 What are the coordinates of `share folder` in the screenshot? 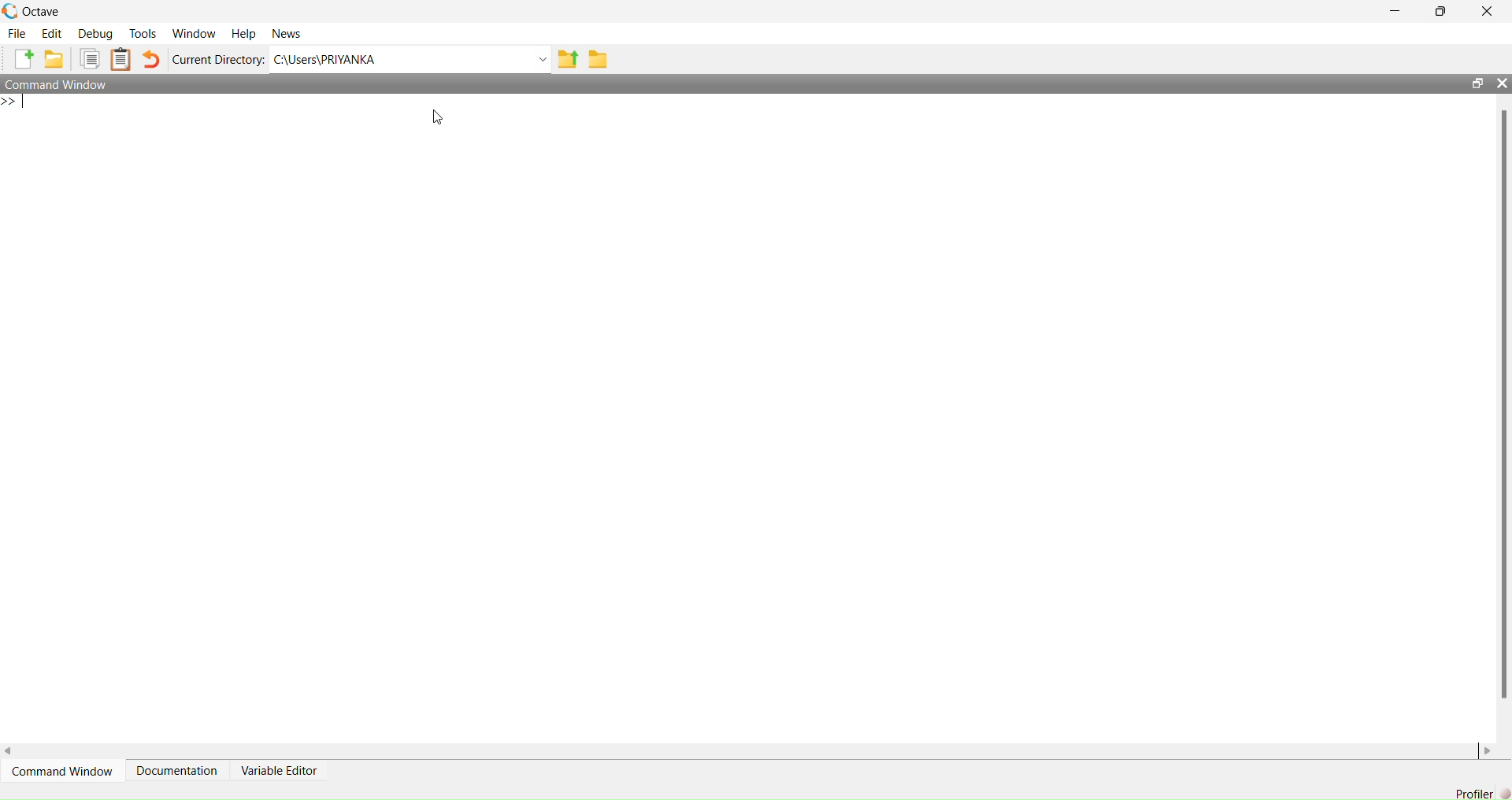 It's located at (569, 59).